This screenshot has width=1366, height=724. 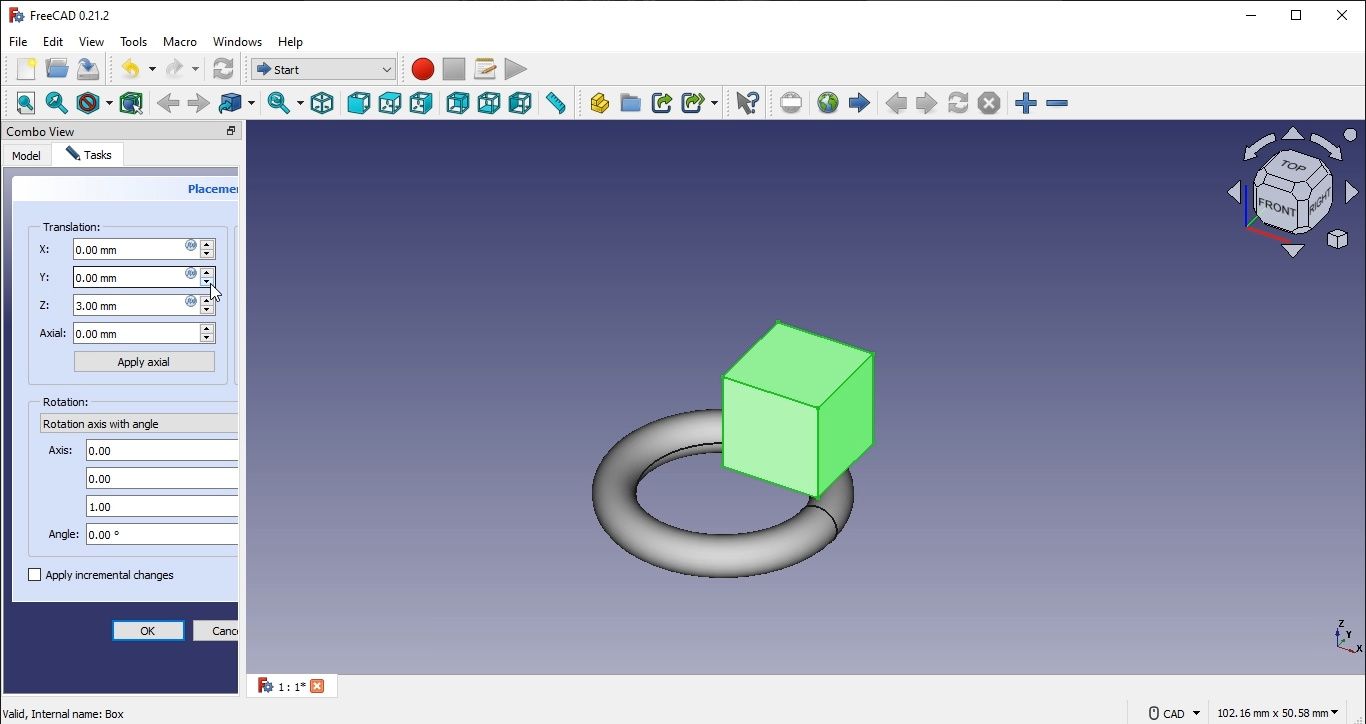 What do you see at coordinates (57, 67) in the screenshot?
I see `open file` at bounding box center [57, 67].